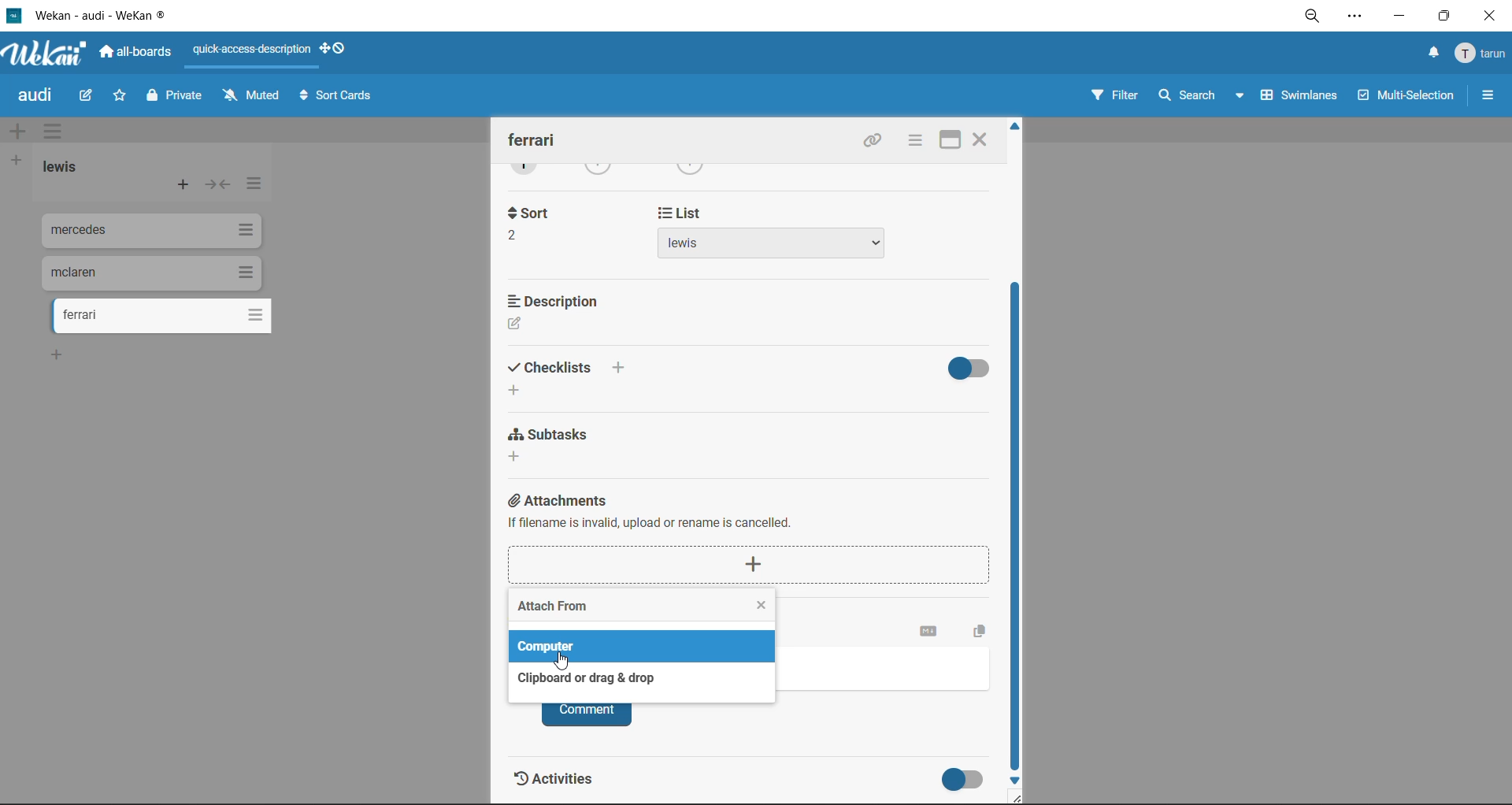 This screenshot has height=805, width=1512. I want to click on swimlanes, so click(1300, 95).